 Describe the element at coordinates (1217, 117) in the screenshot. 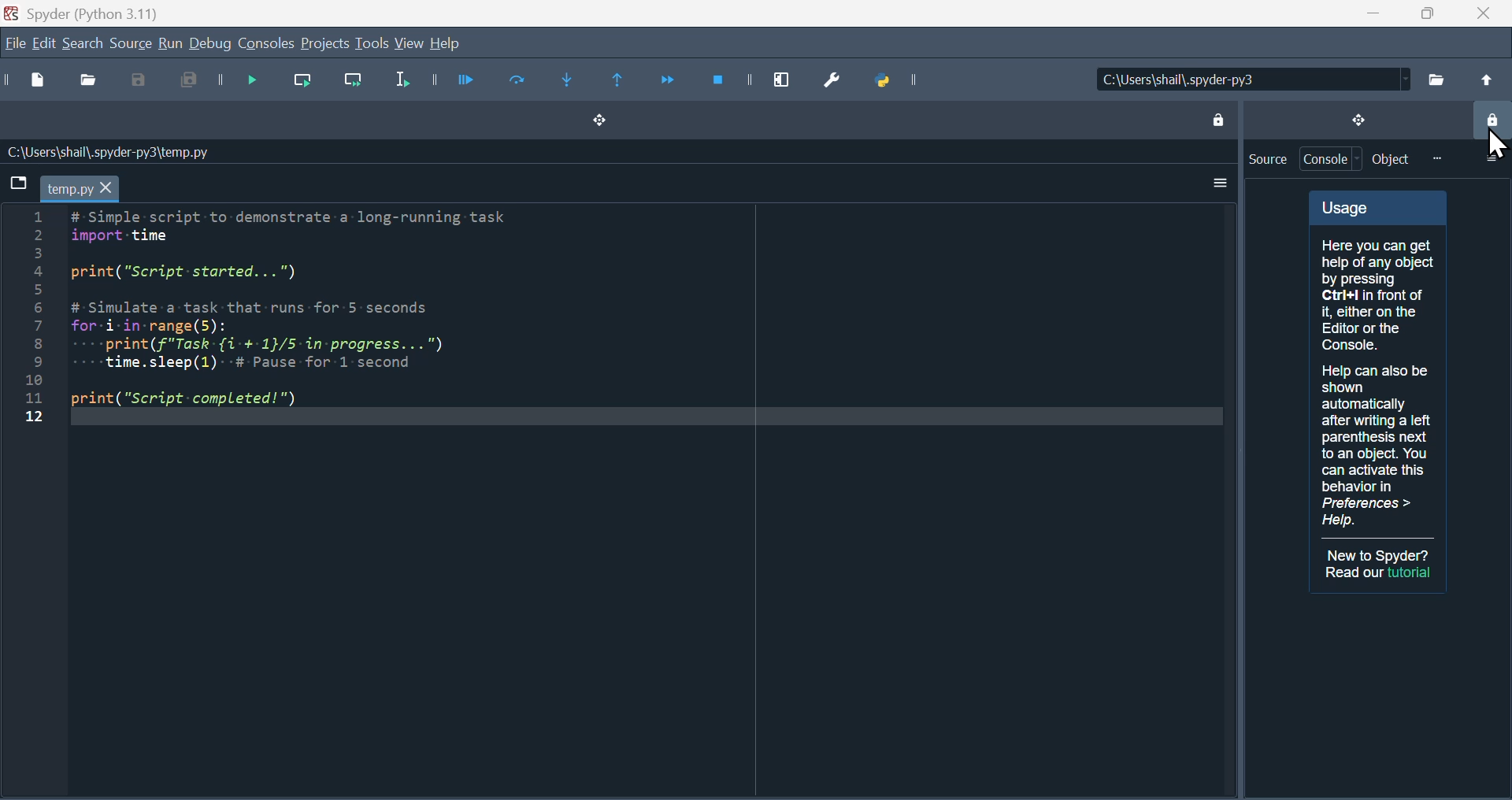

I see `lock` at that location.